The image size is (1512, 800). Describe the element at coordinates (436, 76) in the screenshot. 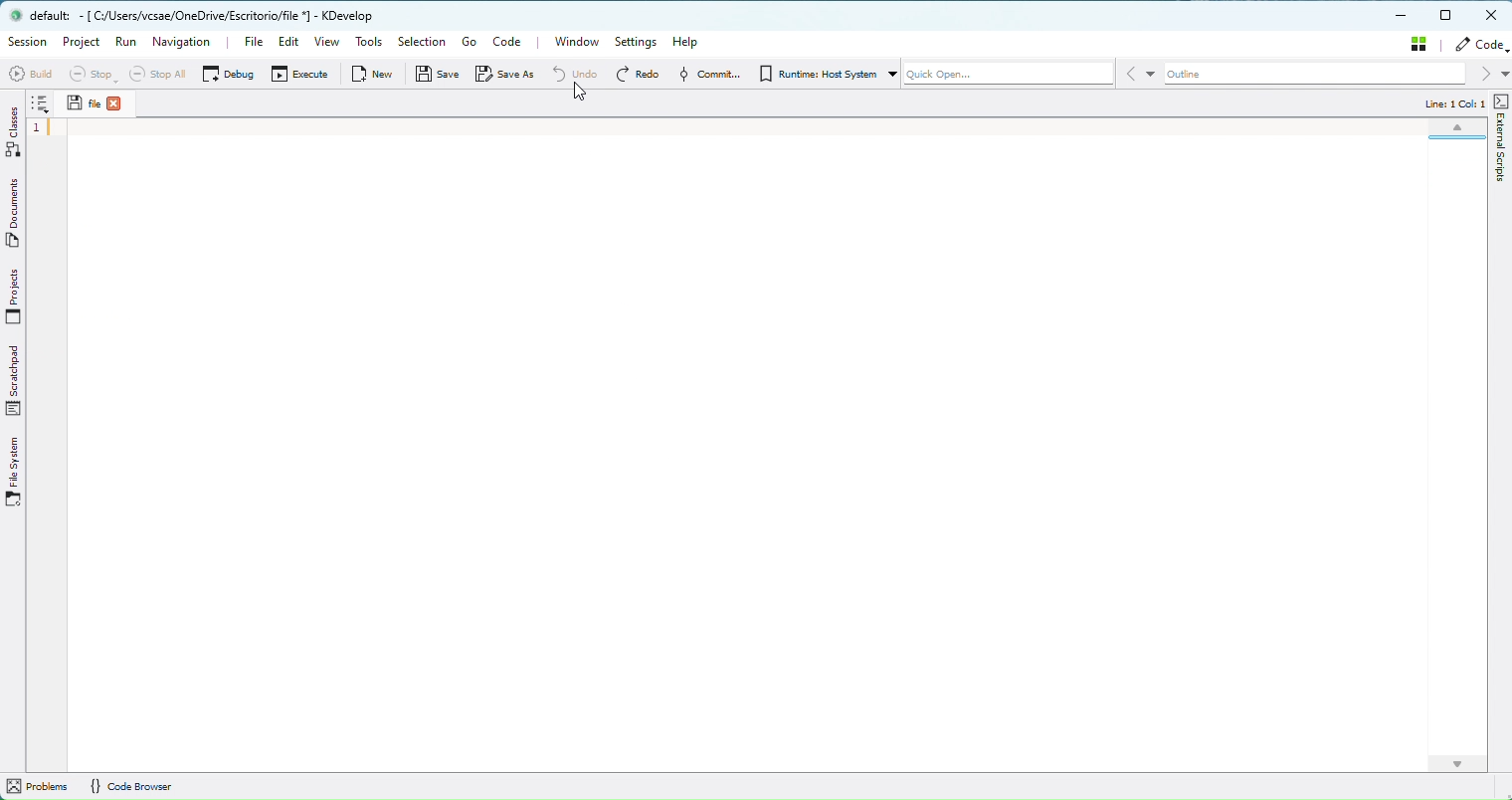

I see `Save` at that location.